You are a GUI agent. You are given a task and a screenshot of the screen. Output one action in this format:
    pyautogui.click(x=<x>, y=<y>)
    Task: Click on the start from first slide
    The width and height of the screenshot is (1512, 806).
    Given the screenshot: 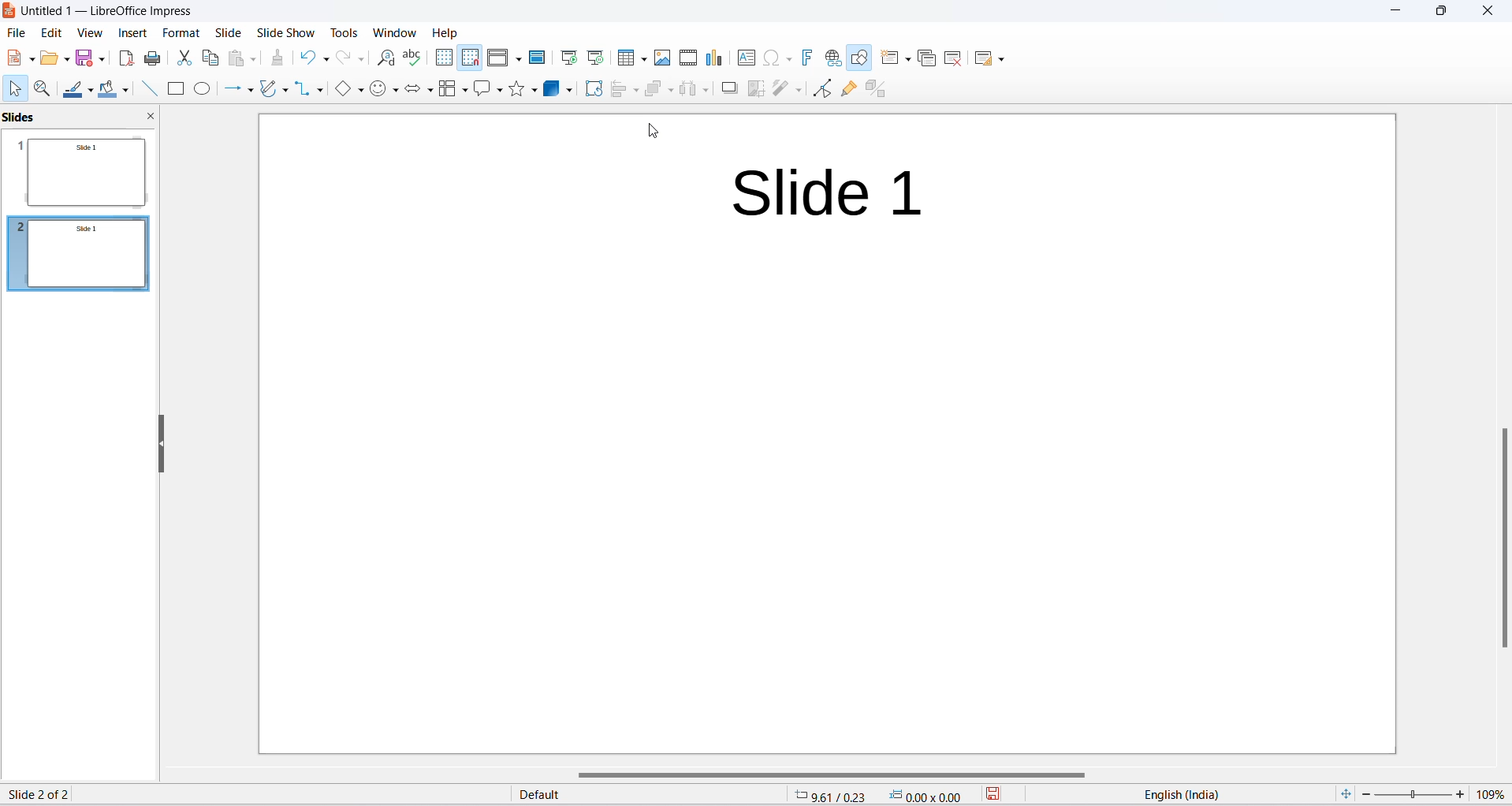 What is the action you would take?
    pyautogui.click(x=567, y=57)
    